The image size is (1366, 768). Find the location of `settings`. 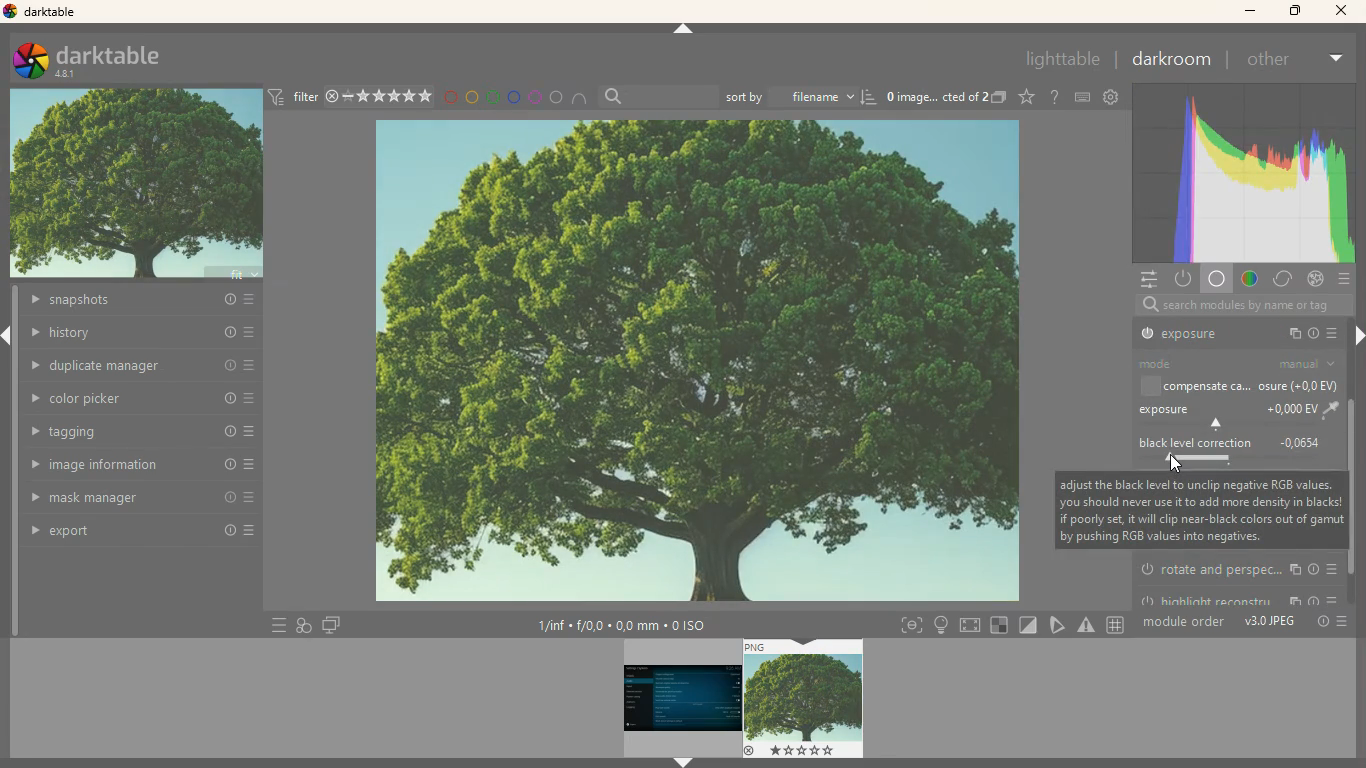

settings is located at coordinates (1147, 279).